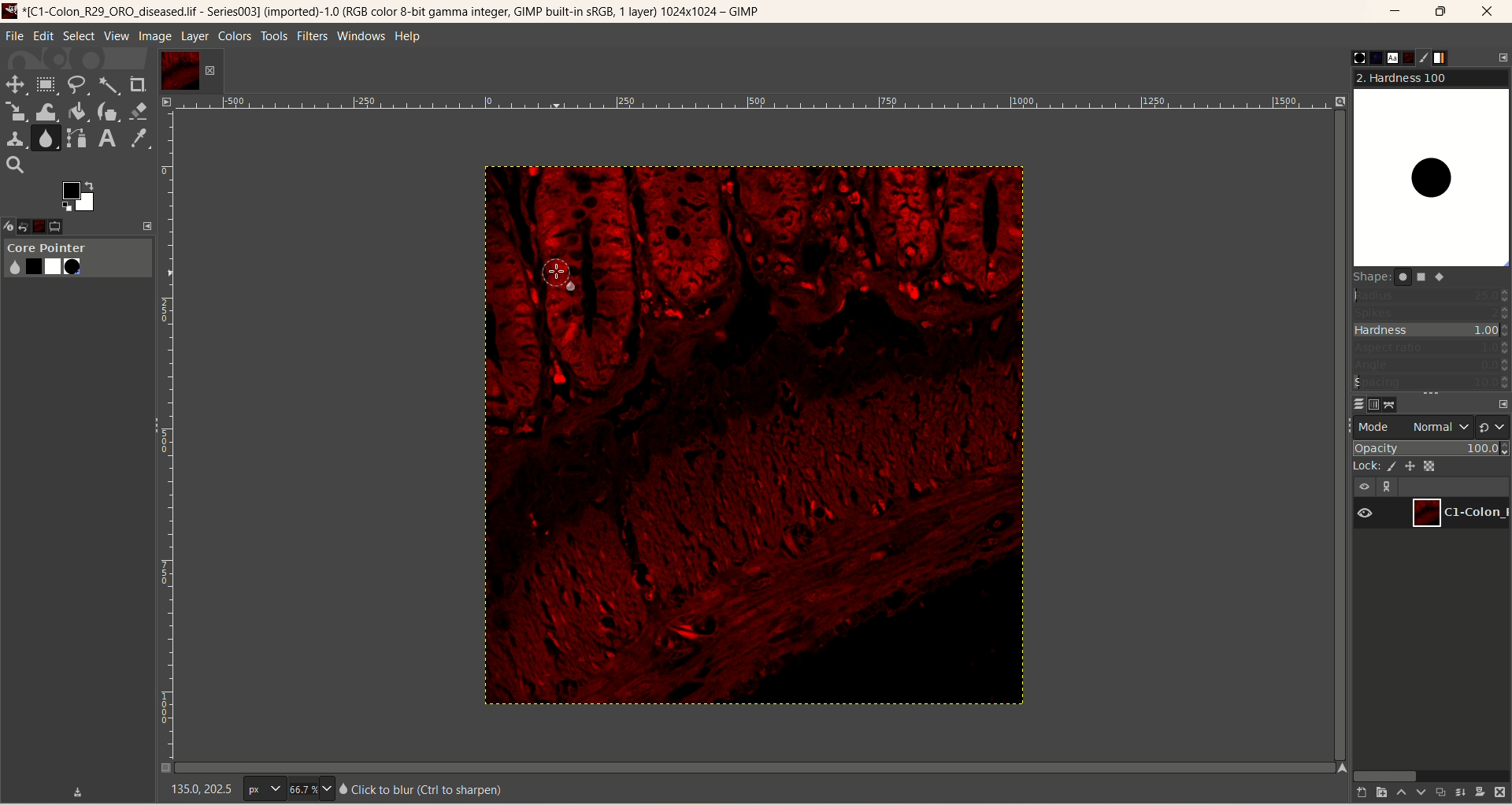  Describe the element at coordinates (1442, 12) in the screenshot. I see `maximize` at that location.